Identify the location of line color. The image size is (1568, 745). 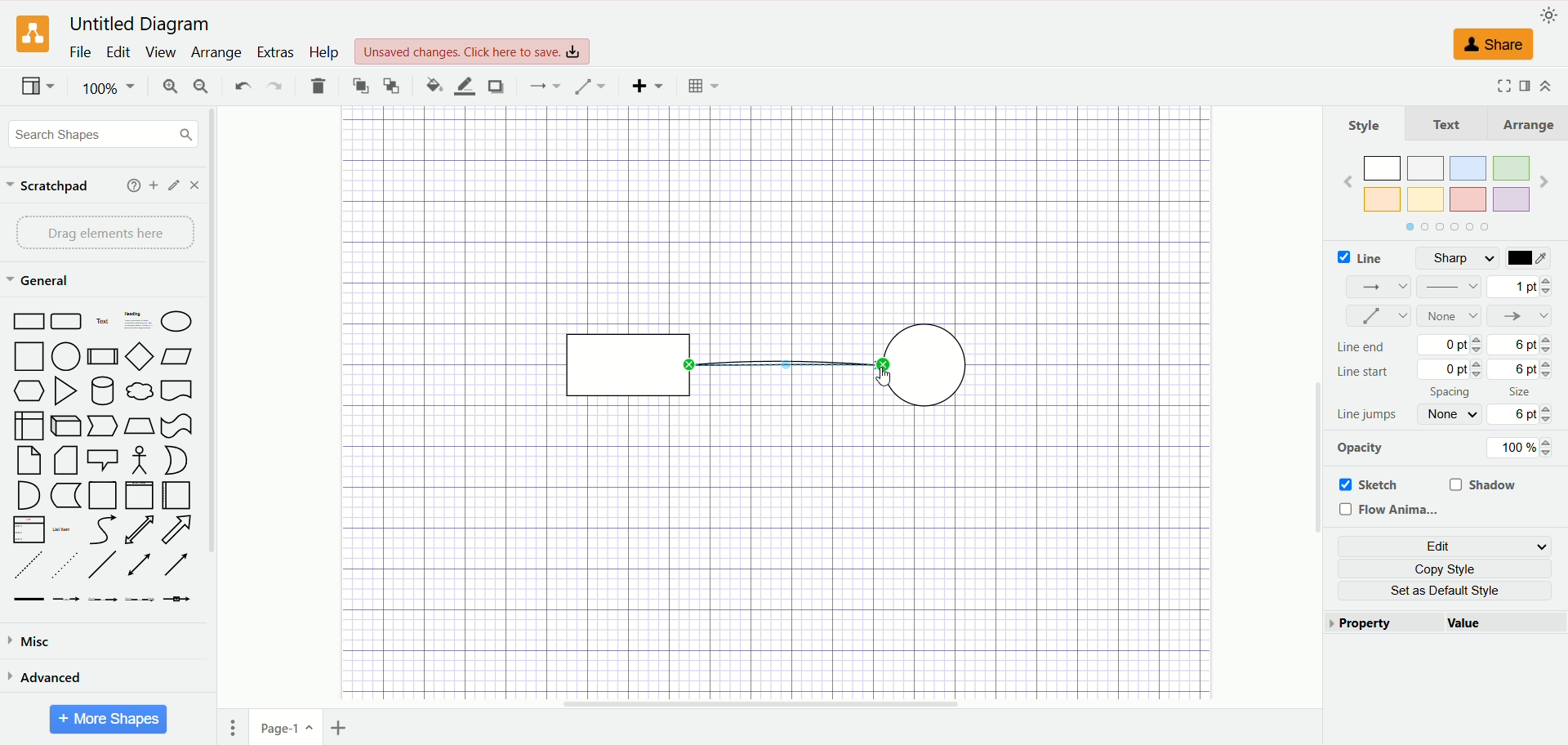
(466, 87).